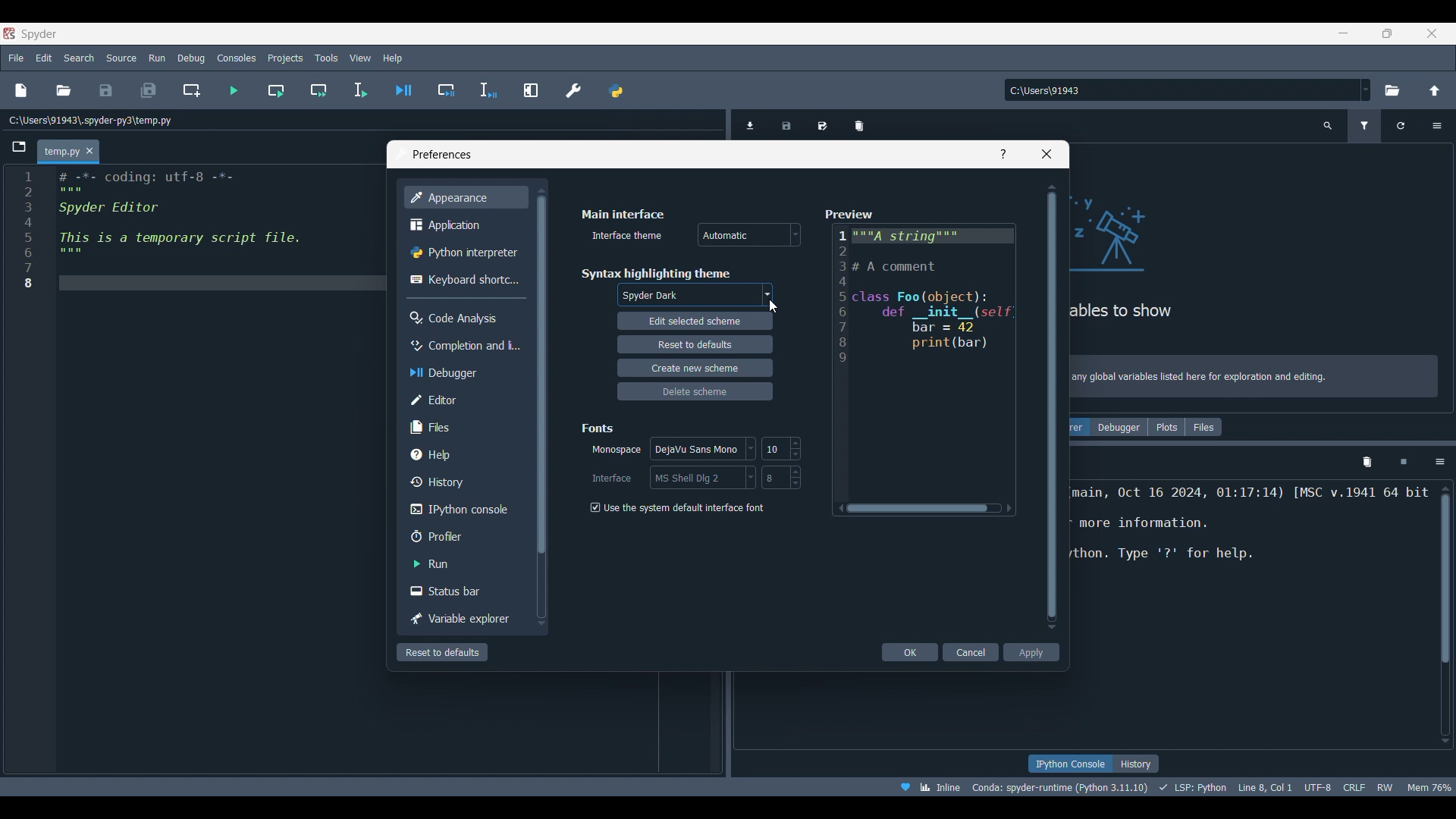 This screenshot has height=819, width=1456. Describe the element at coordinates (1432, 786) in the screenshot. I see `memory usage` at that location.